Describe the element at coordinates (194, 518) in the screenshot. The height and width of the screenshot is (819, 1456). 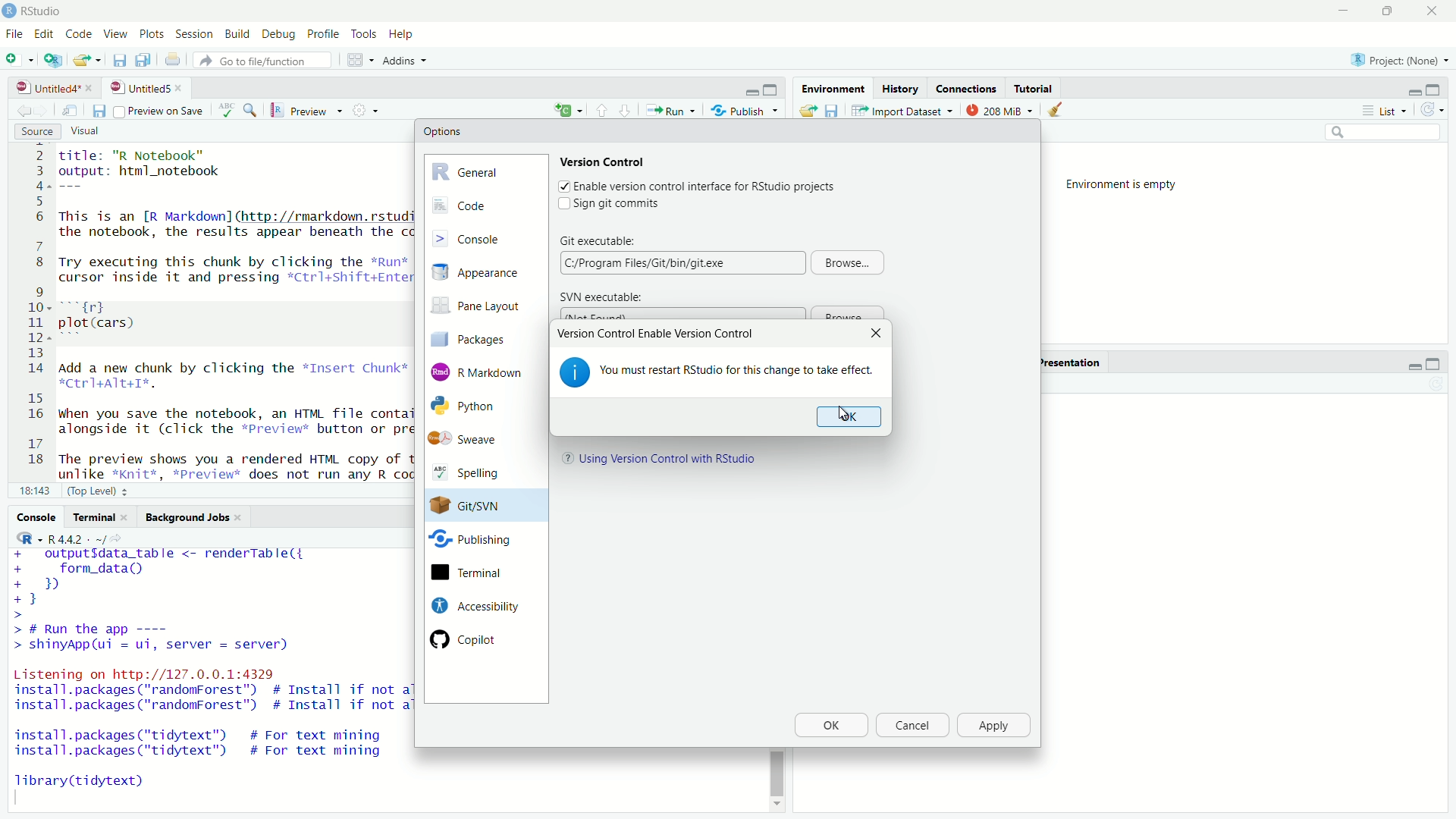
I see `Background Jobs` at that location.